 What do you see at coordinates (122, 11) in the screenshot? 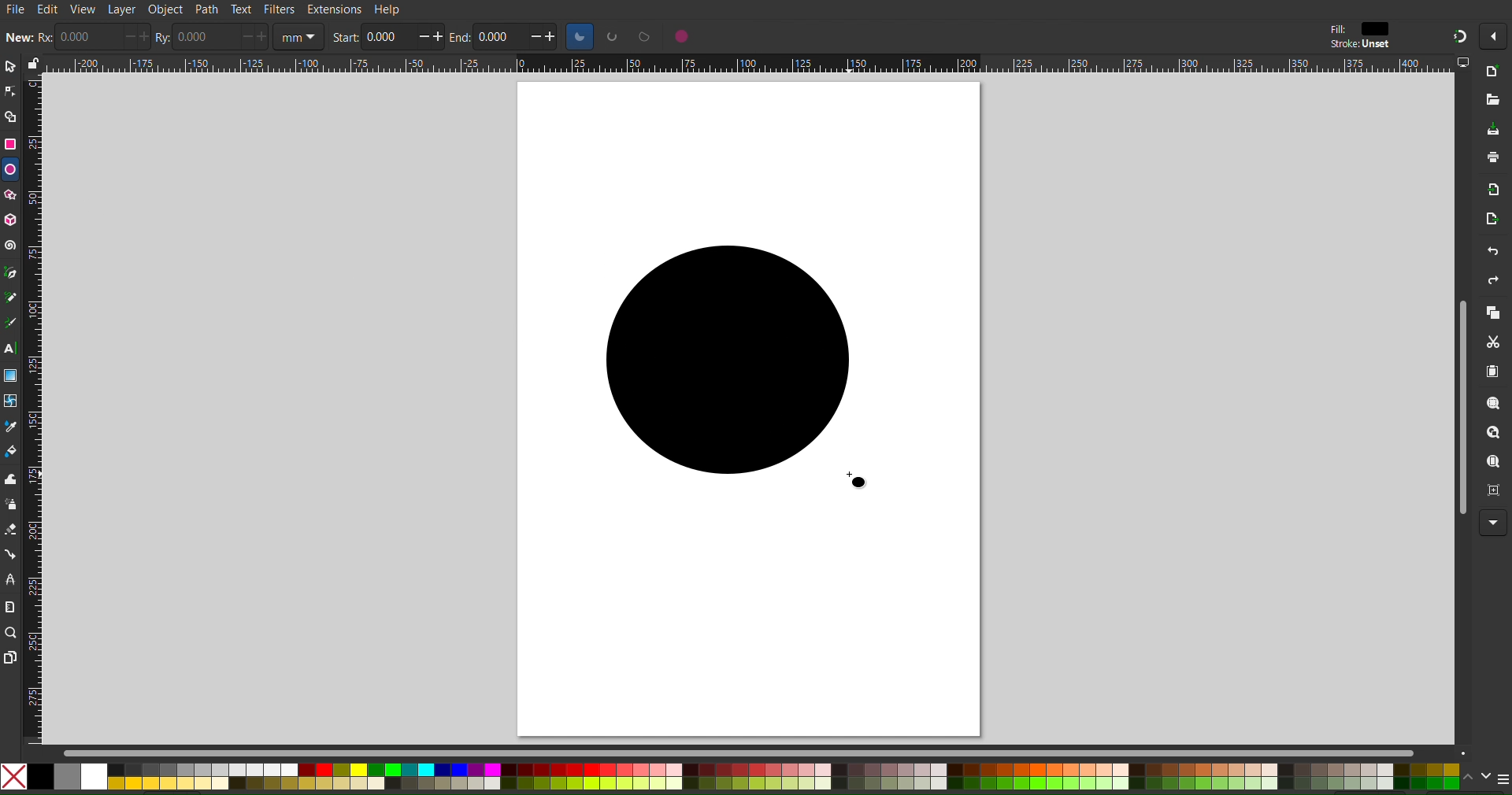
I see `Layer ` at bounding box center [122, 11].